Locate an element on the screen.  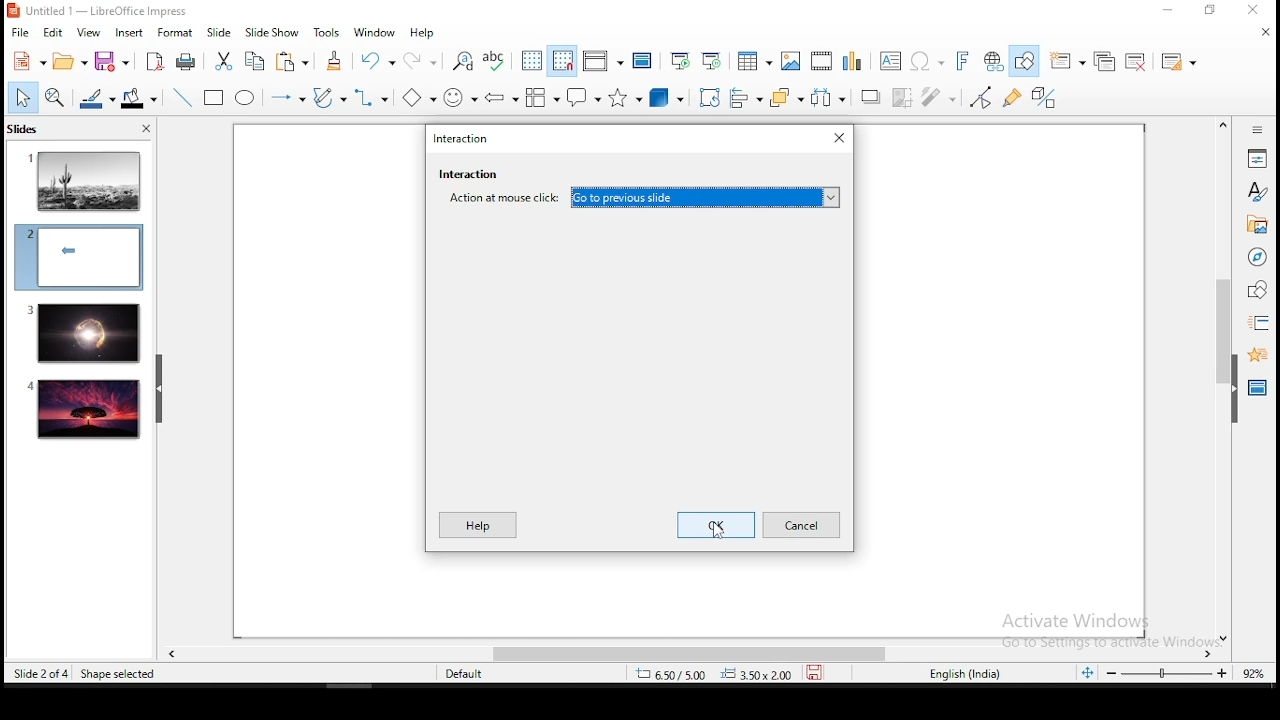
toggle point edit mode is located at coordinates (981, 99).